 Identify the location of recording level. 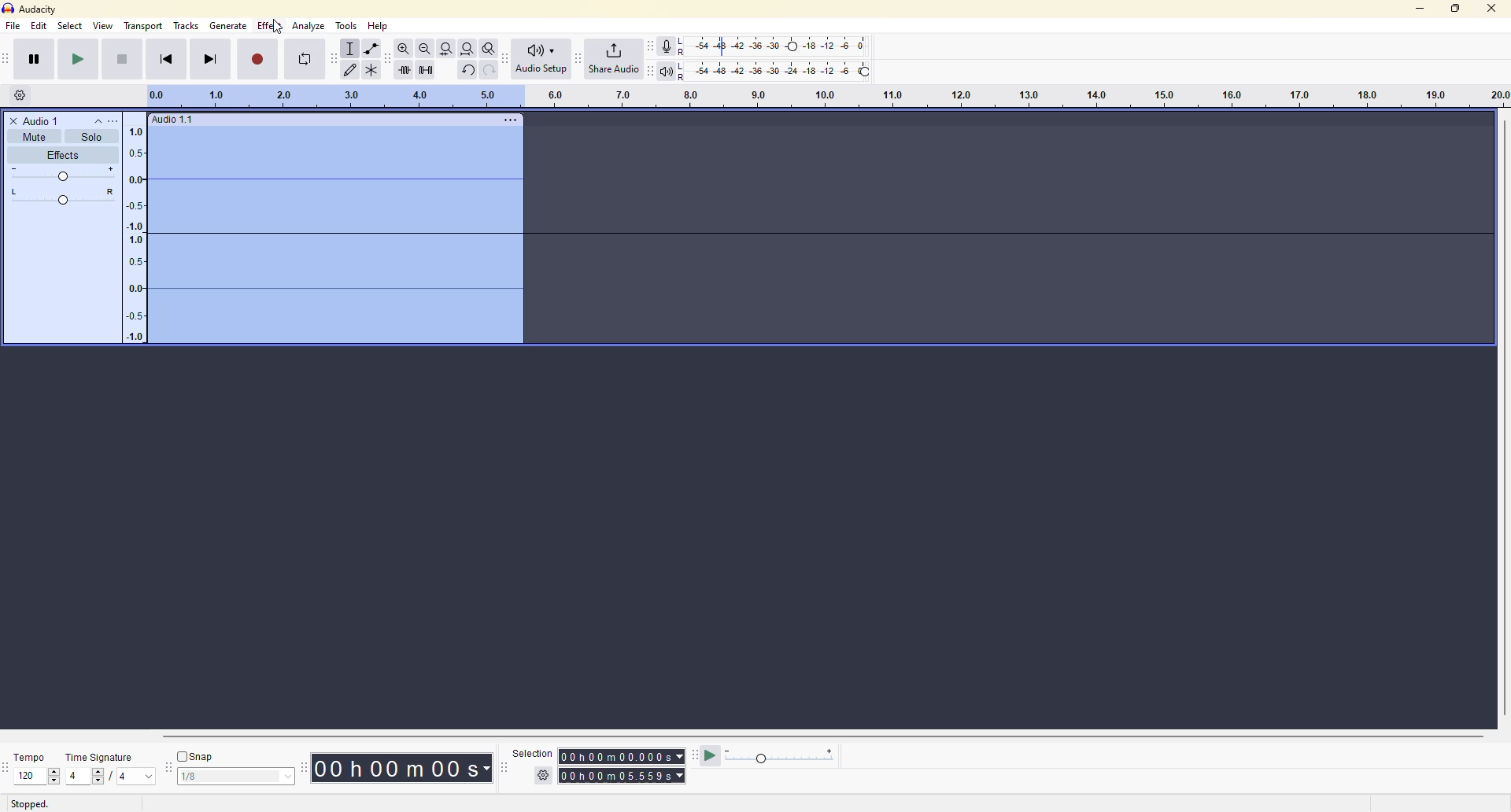
(774, 46).